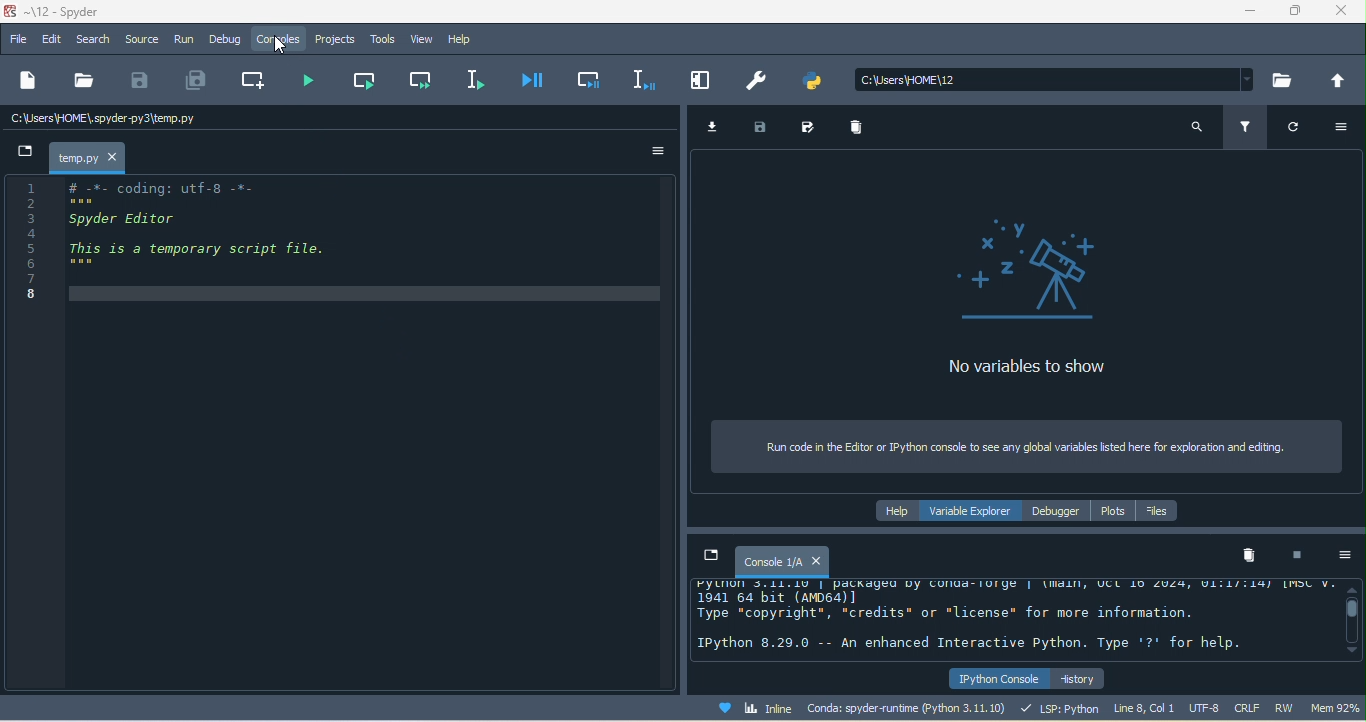 This screenshot has height=722, width=1366. I want to click on crlf, so click(1246, 707).